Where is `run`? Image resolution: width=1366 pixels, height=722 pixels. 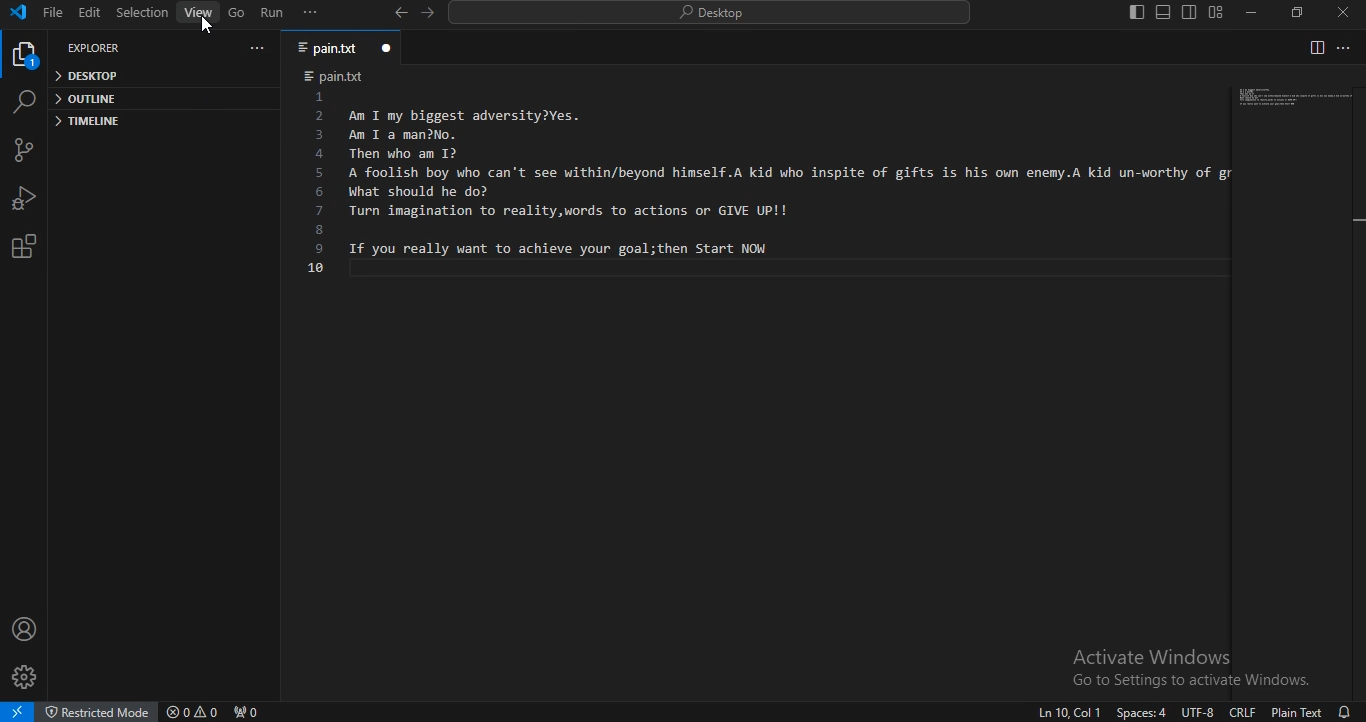
run is located at coordinates (274, 13).